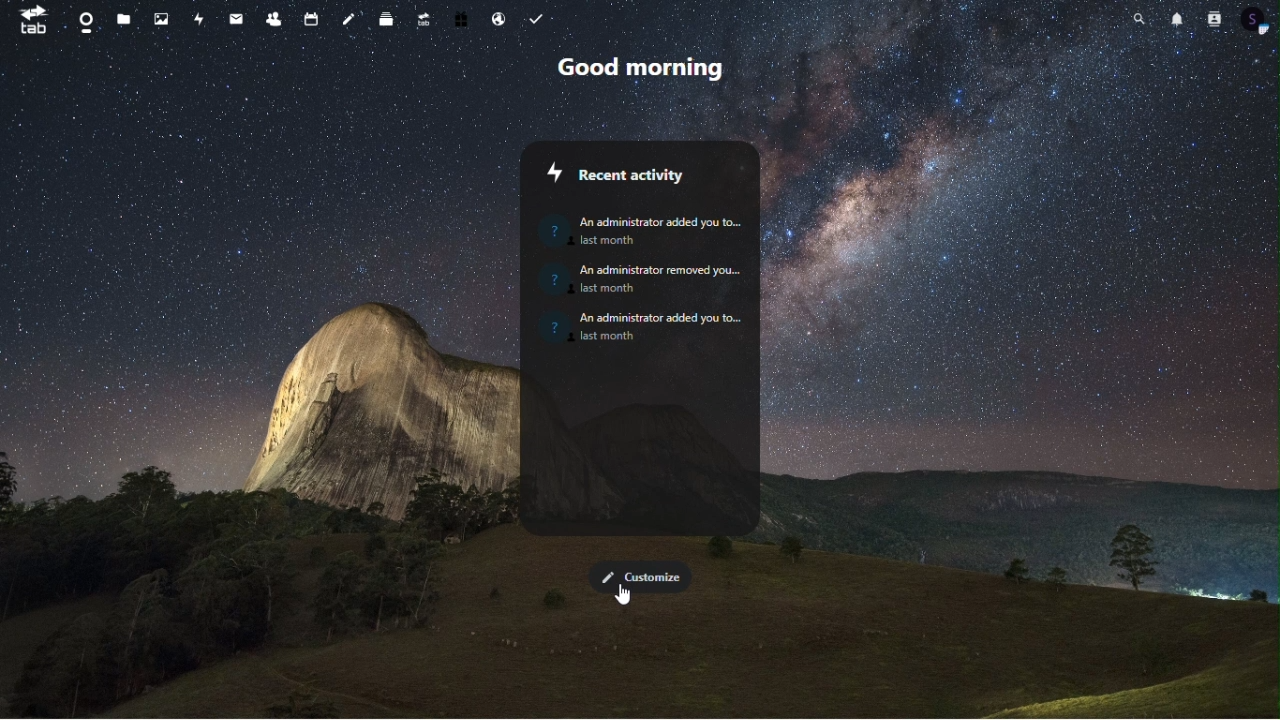 Image resolution: width=1280 pixels, height=720 pixels. I want to click on recent activity, so click(637, 176).